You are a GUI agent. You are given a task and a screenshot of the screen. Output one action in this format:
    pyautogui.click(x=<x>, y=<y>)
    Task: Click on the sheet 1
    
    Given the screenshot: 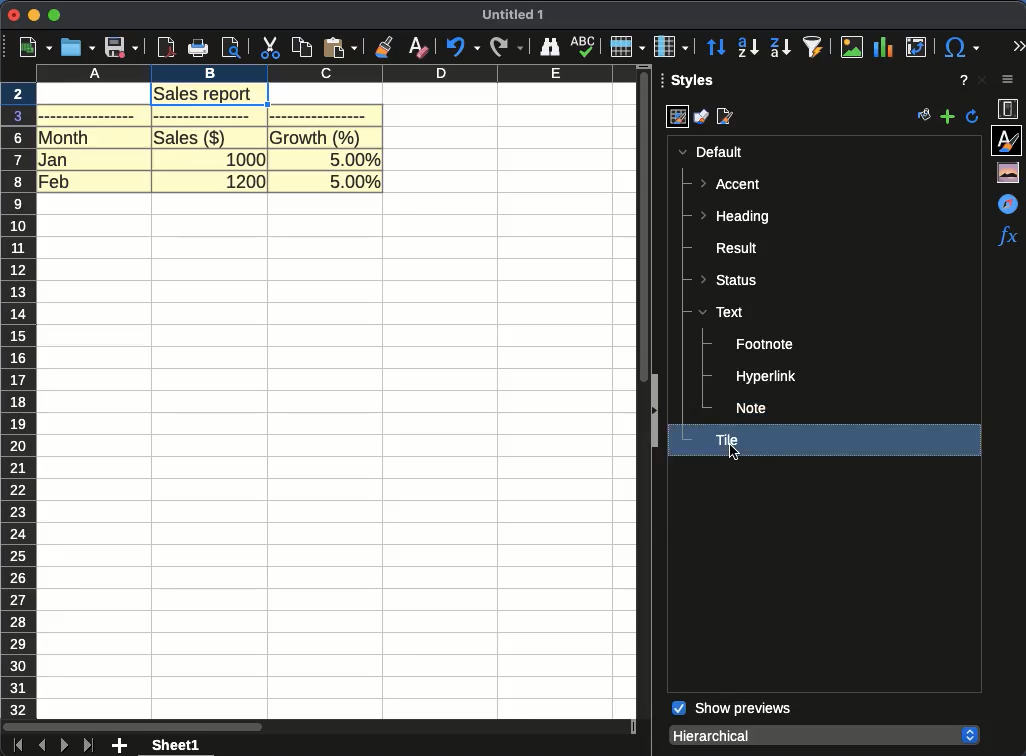 What is the action you would take?
    pyautogui.click(x=176, y=745)
    